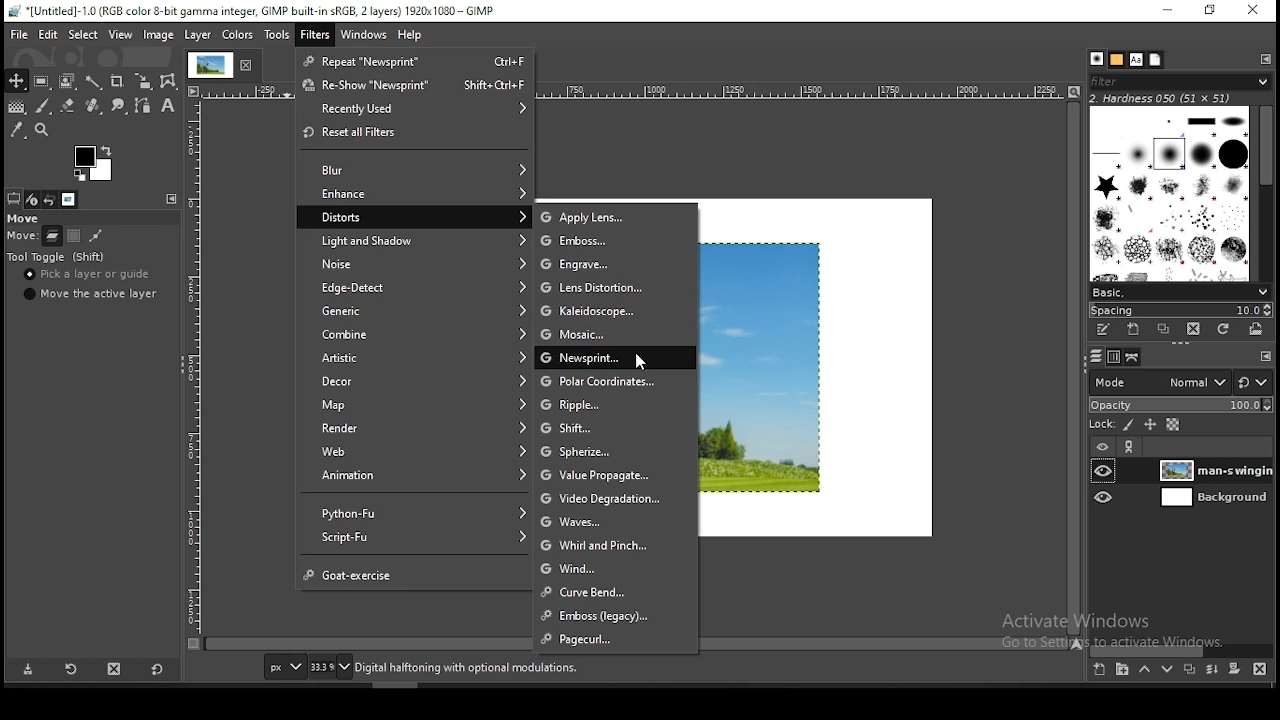 The height and width of the screenshot is (720, 1280). Describe the element at coordinates (1190, 668) in the screenshot. I see `duplicate layer` at that location.